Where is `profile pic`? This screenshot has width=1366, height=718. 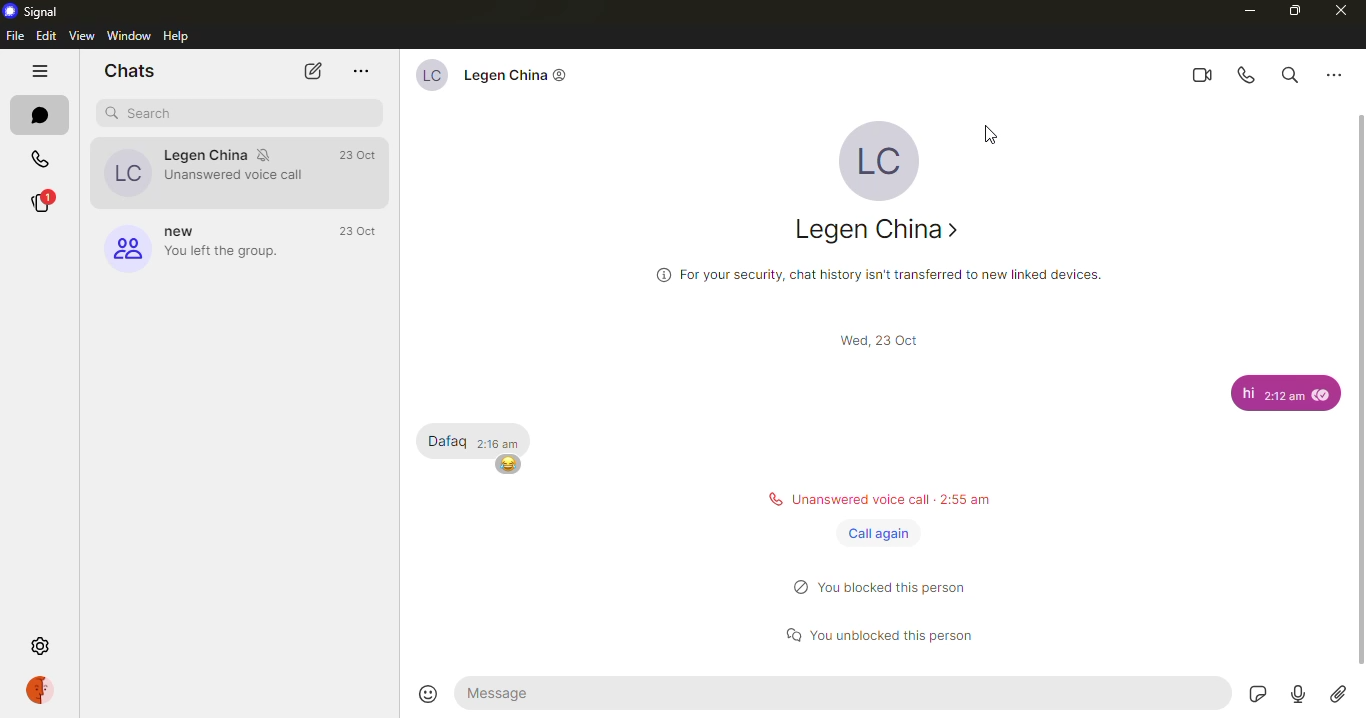 profile pic is located at coordinates (878, 160).